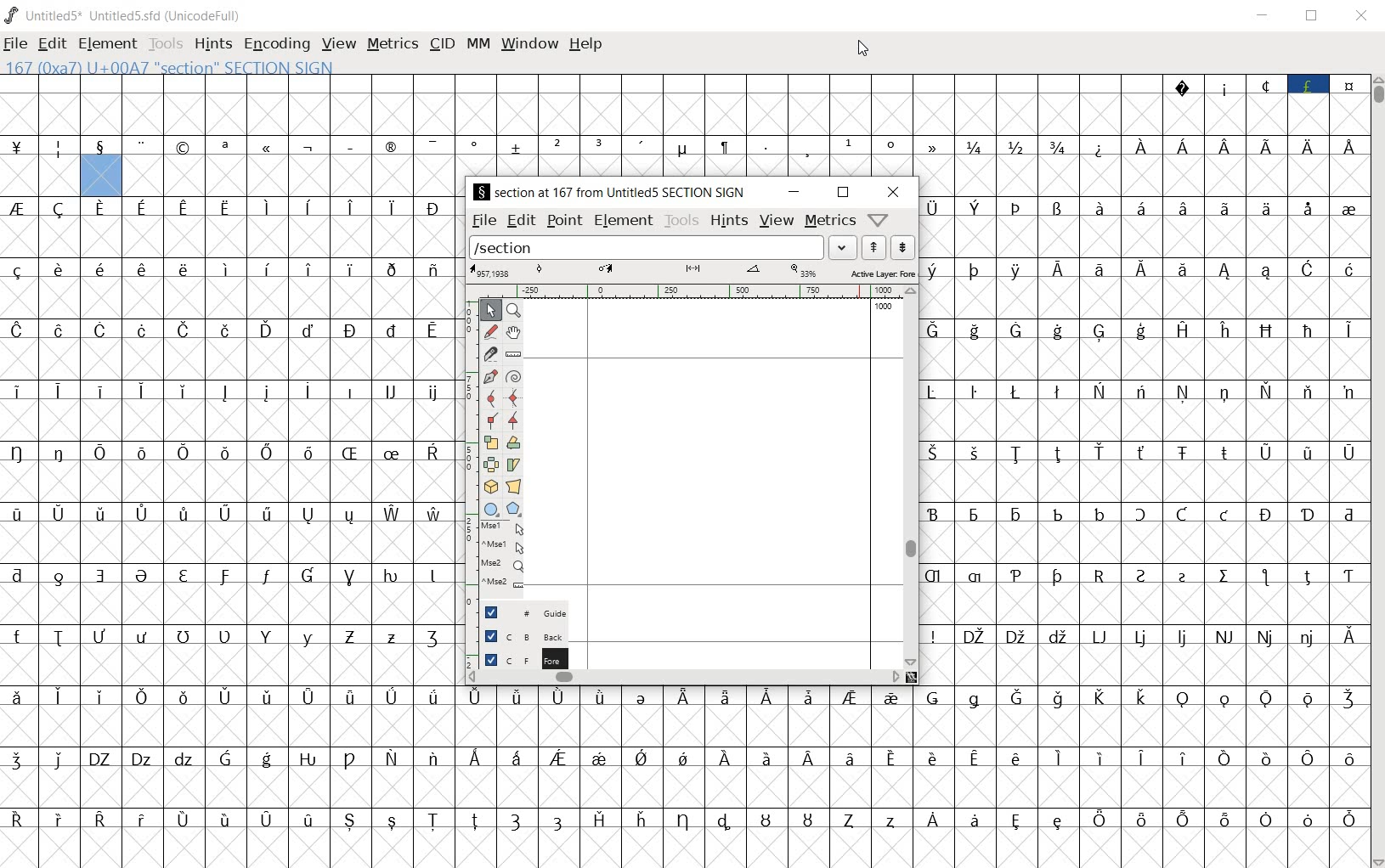  I want to click on § SECTION AT 167 FROM UNTITLED5 SECTION SIGN, so click(611, 192).